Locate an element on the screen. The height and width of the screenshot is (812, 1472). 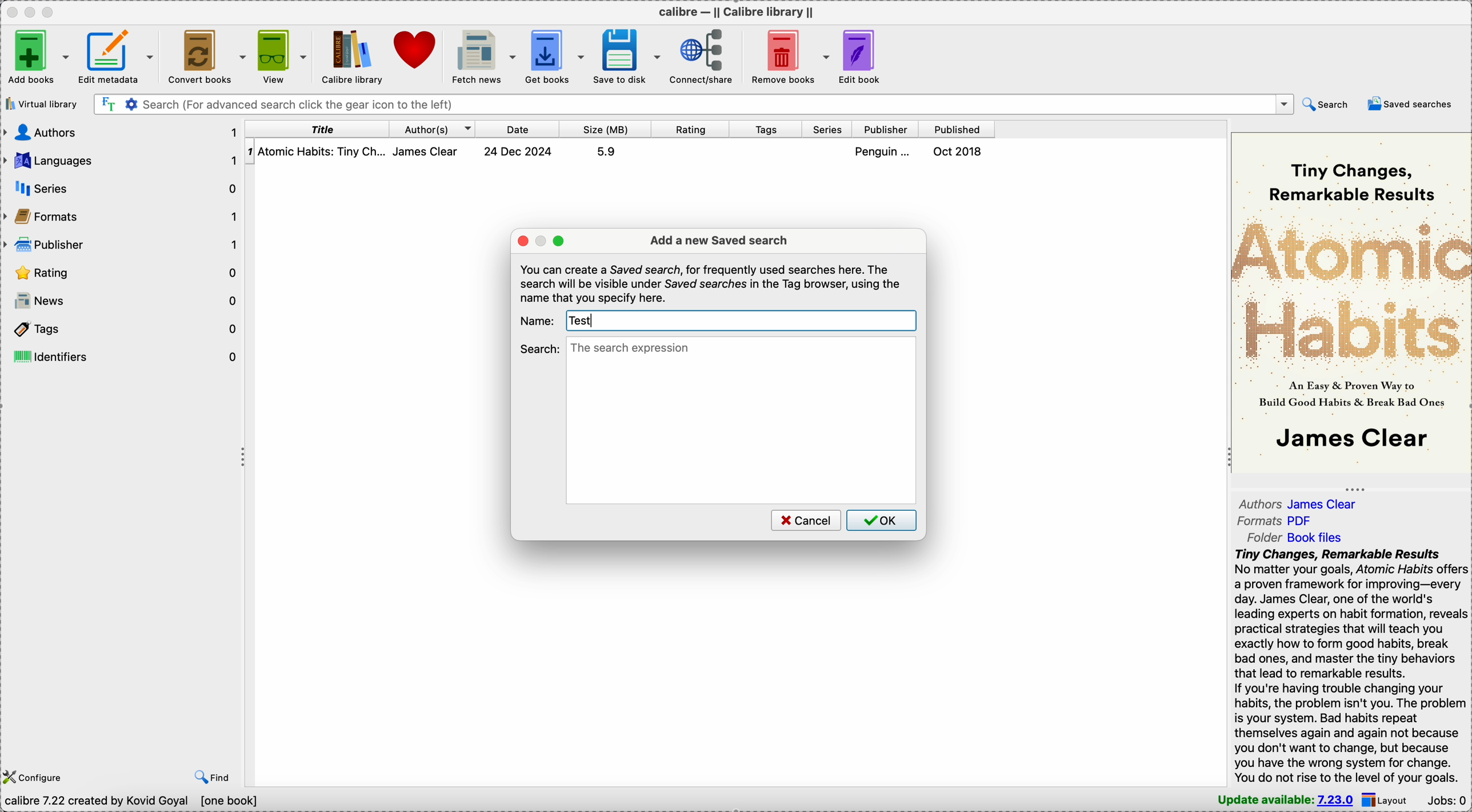
Jobs: 0 is located at coordinates (1448, 799).